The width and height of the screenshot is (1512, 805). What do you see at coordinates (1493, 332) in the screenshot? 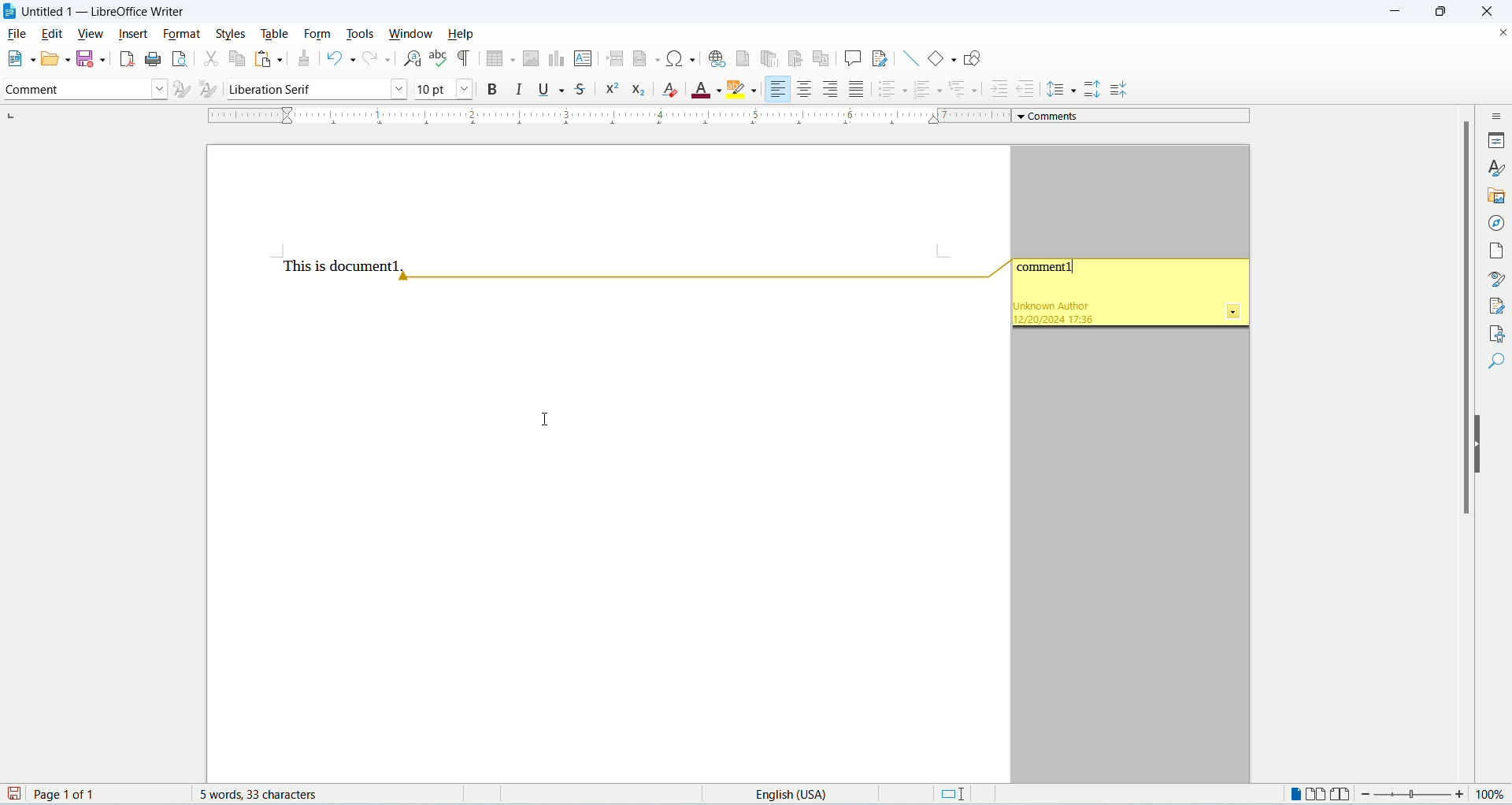
I see `accessibiltity check` at bounding box center [1493, 332].